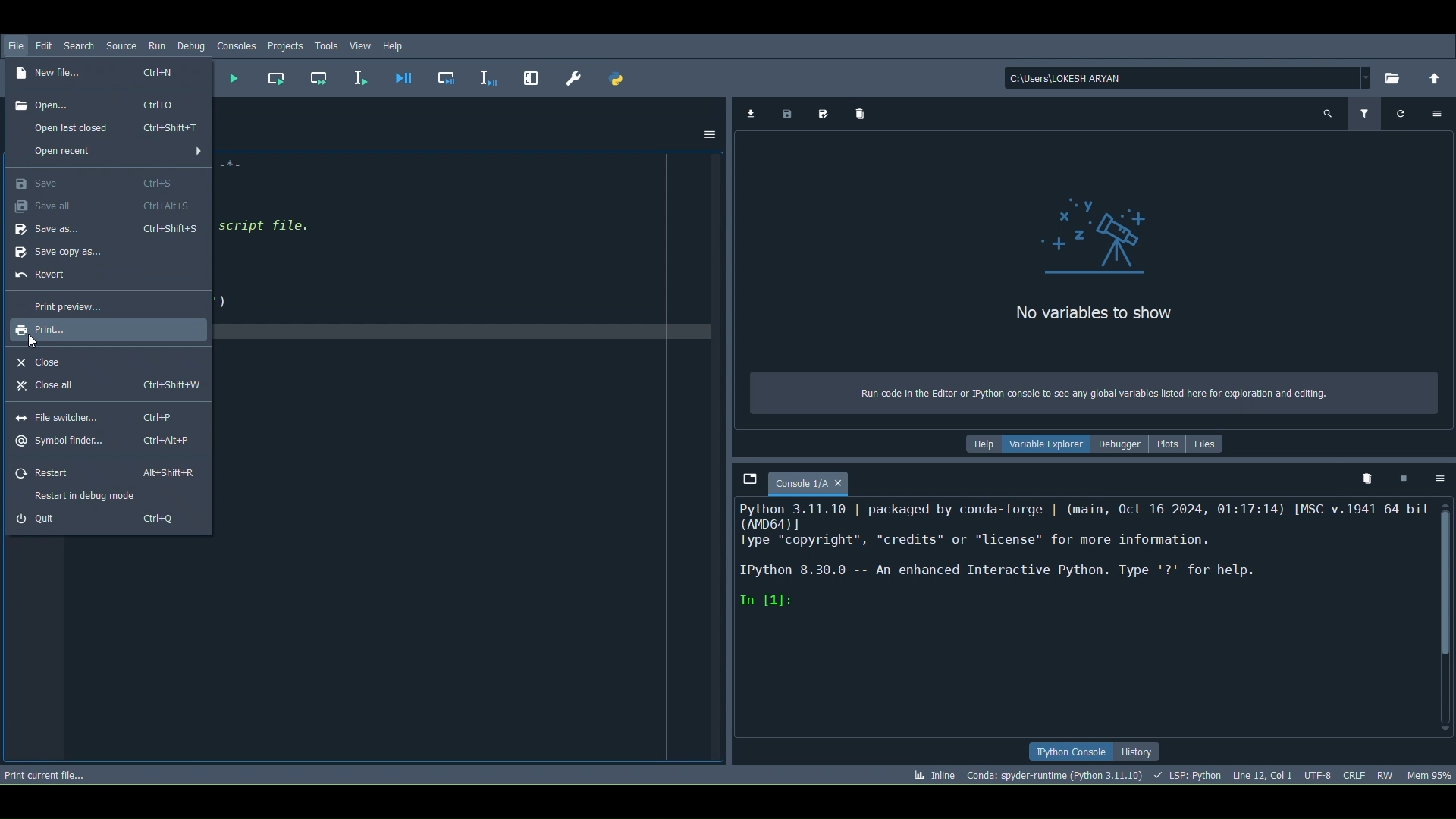  Describe the element at coordinates (106, 521) in the screenshot. I see `Quit` at that location.